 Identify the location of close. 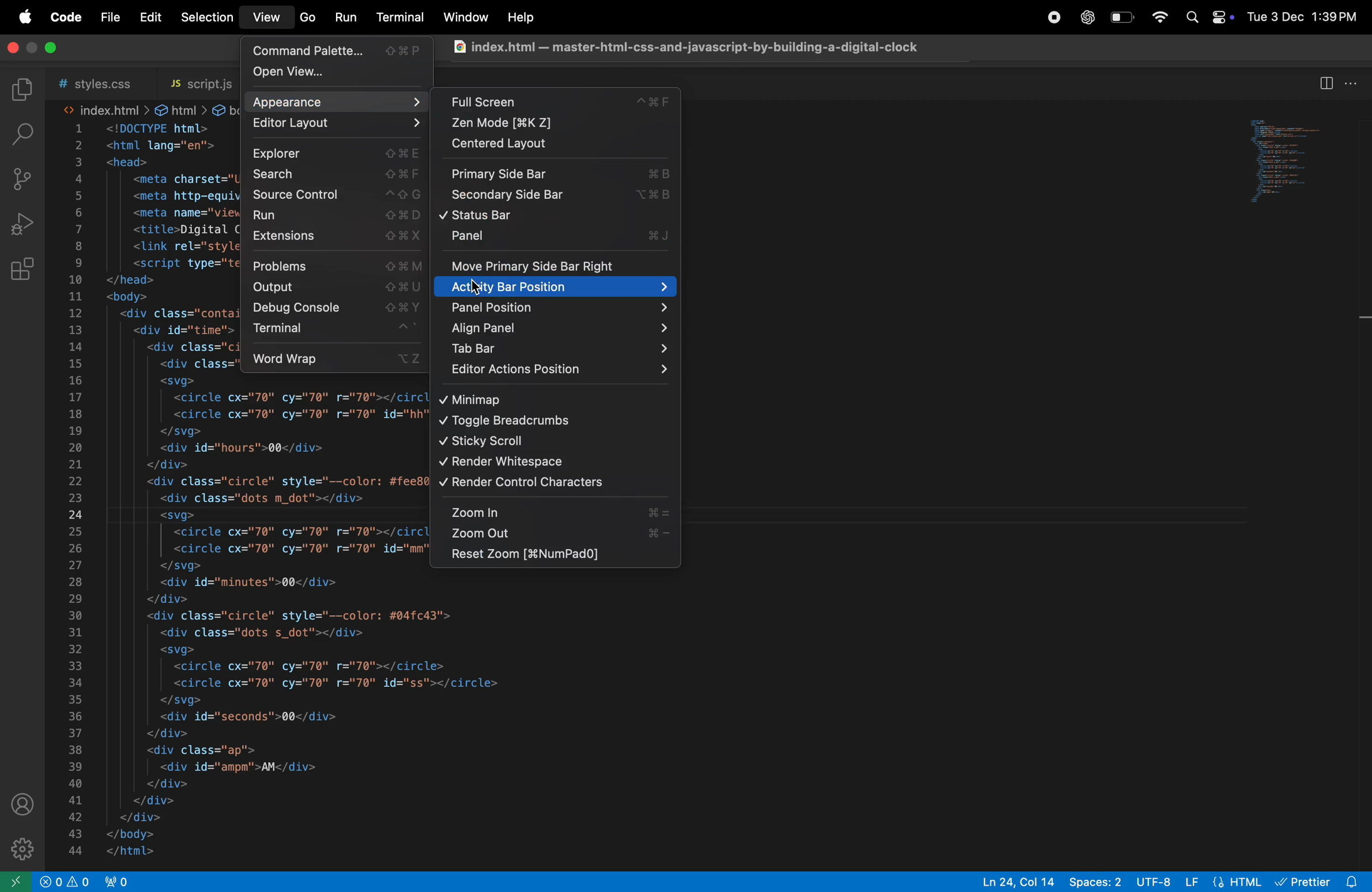
(10, 46).